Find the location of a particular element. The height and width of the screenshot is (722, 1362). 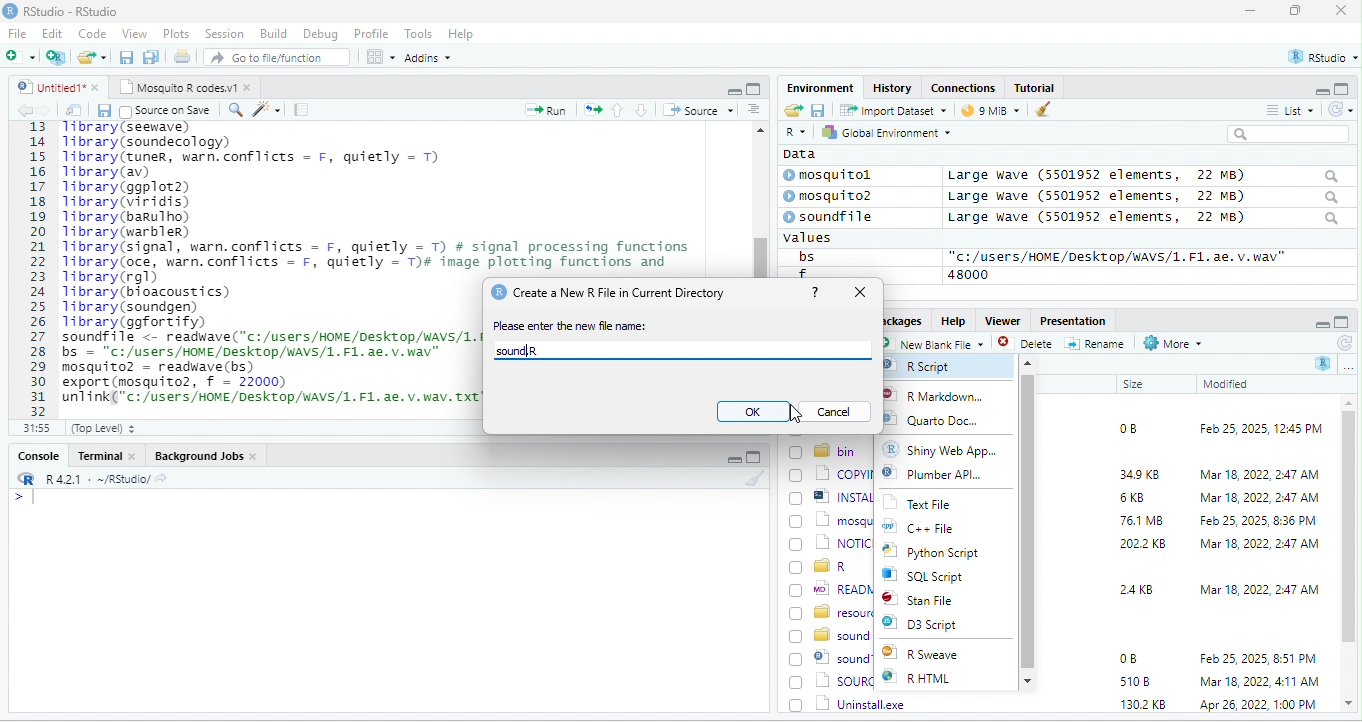

’ New blank File is located at coordinates (937, 346).